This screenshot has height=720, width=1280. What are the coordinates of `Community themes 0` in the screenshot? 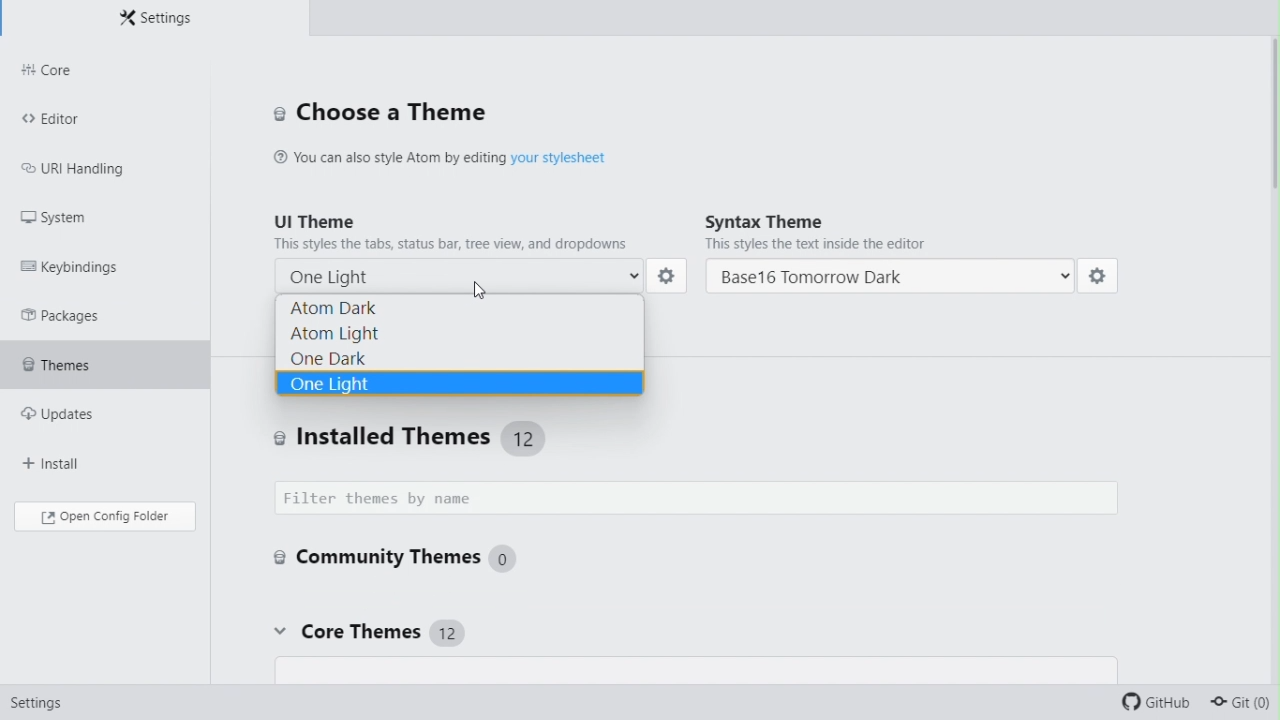 It's located at (394, 556).